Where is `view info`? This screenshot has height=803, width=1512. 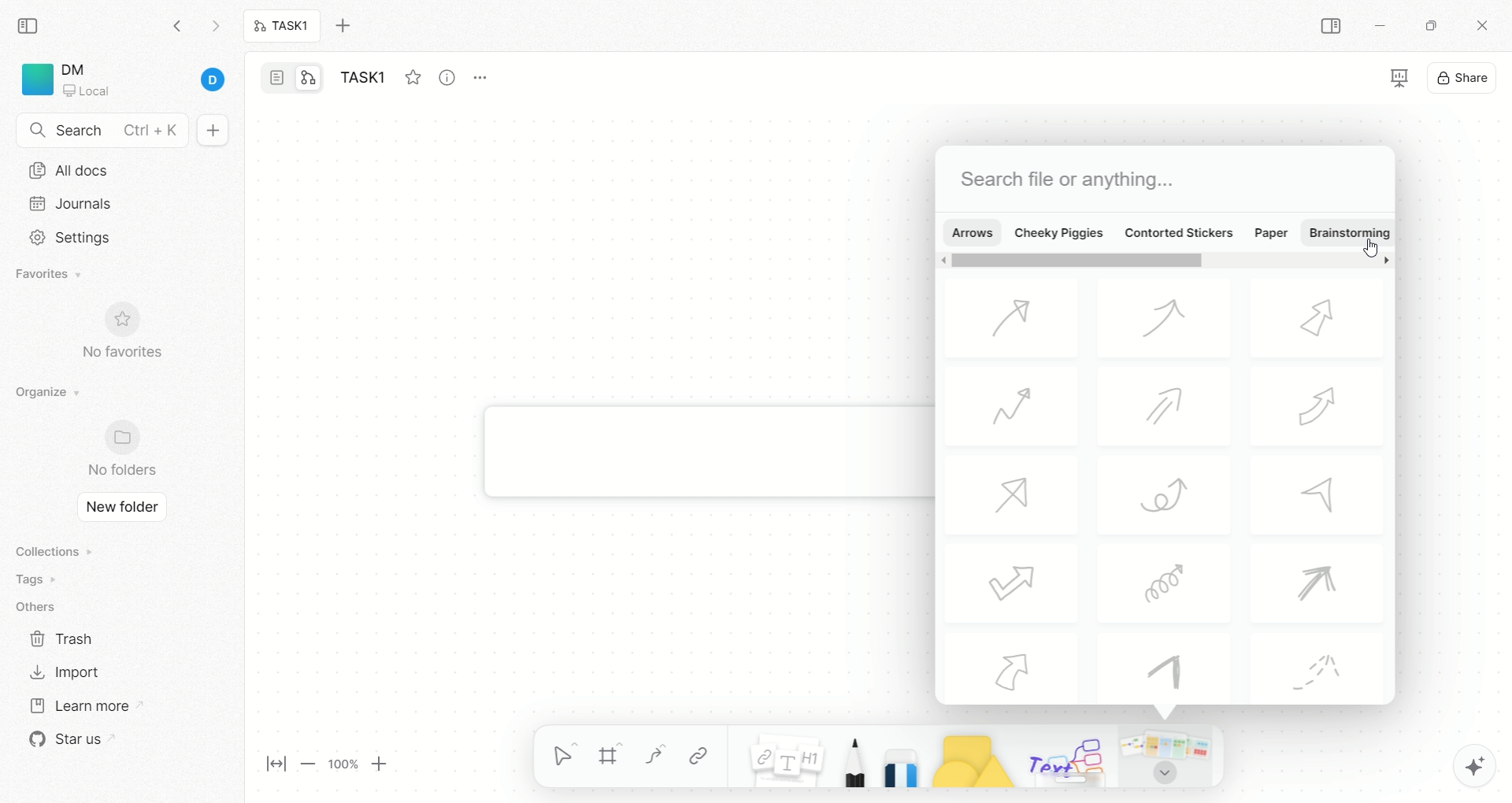 view info is located at coordinates (450, 78).